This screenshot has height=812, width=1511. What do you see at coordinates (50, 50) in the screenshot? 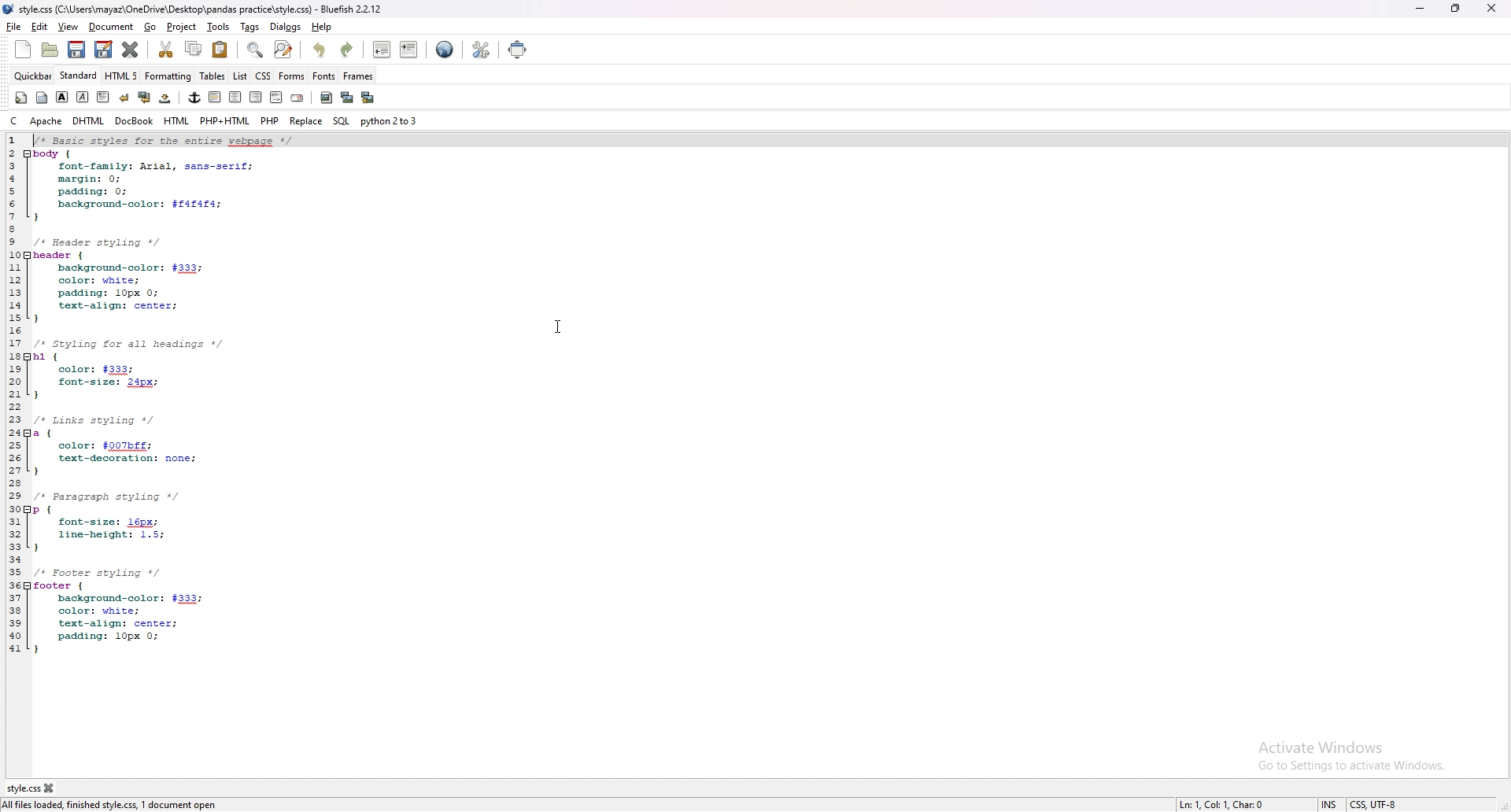
I see `open` at bounding box center [50, 50].